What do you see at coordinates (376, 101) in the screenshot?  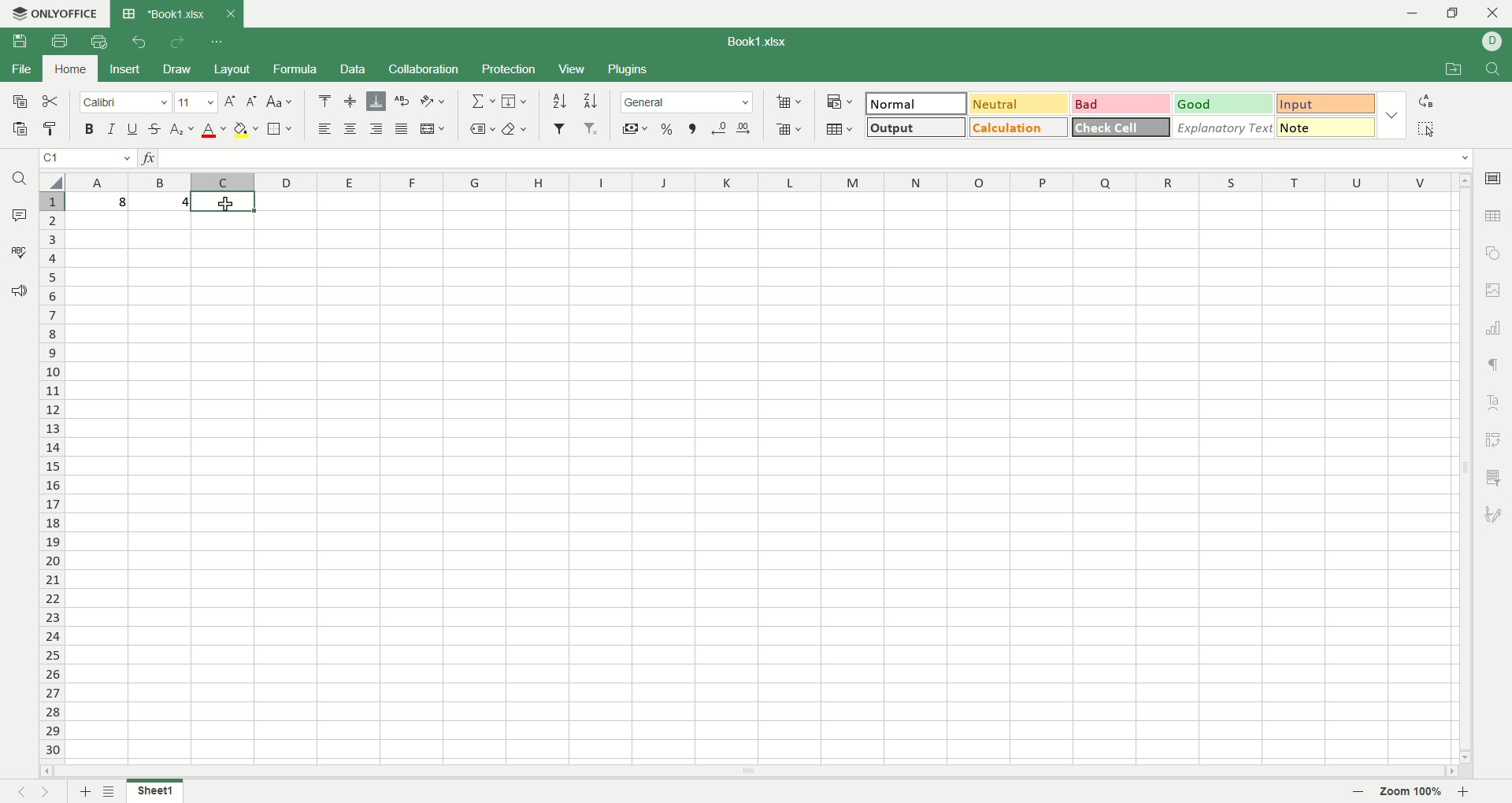 I see `align bottom` at bounding box center [376, 101].